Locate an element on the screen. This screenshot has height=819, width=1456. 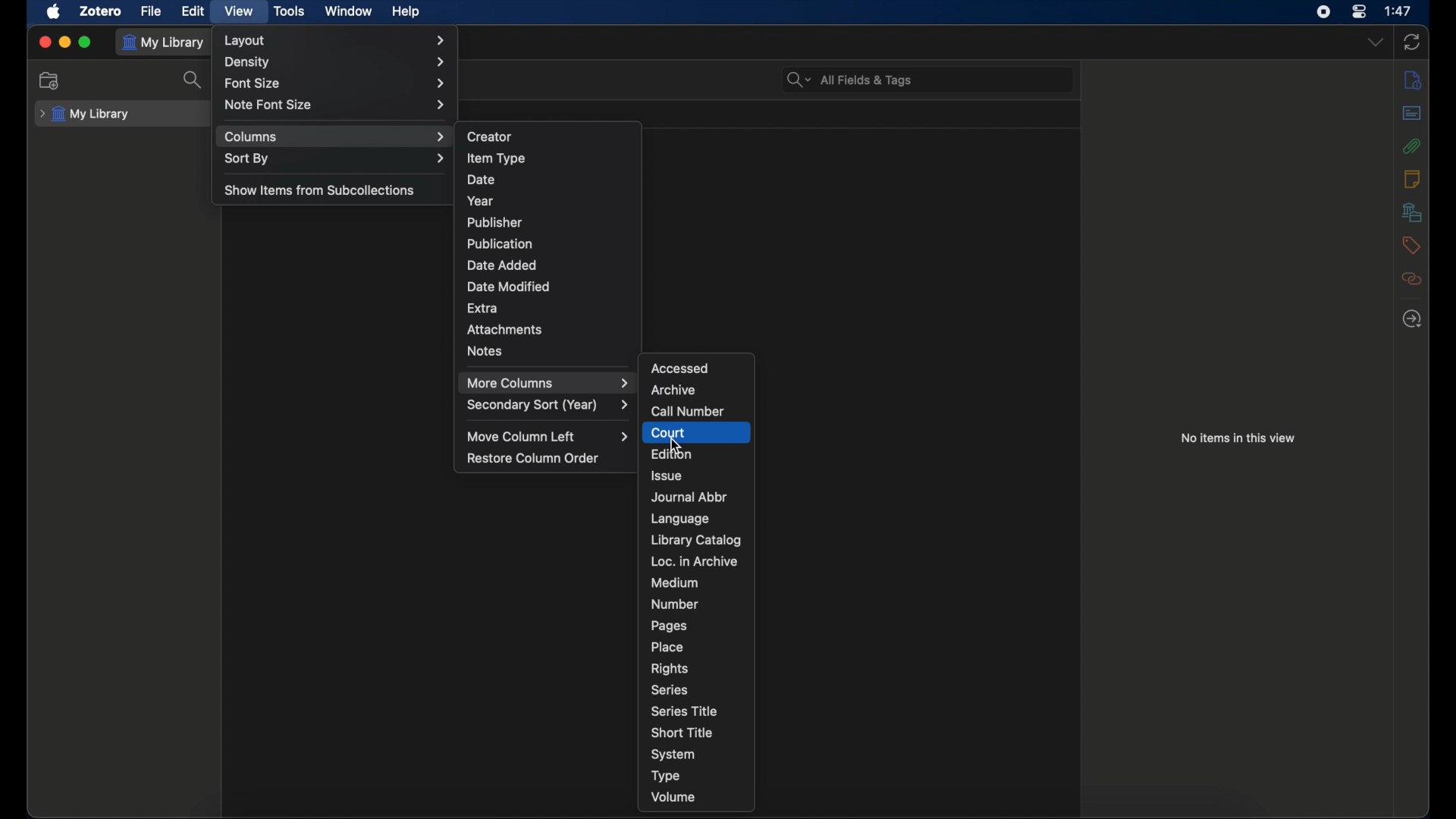
creator is located at coordinates (491, 136).